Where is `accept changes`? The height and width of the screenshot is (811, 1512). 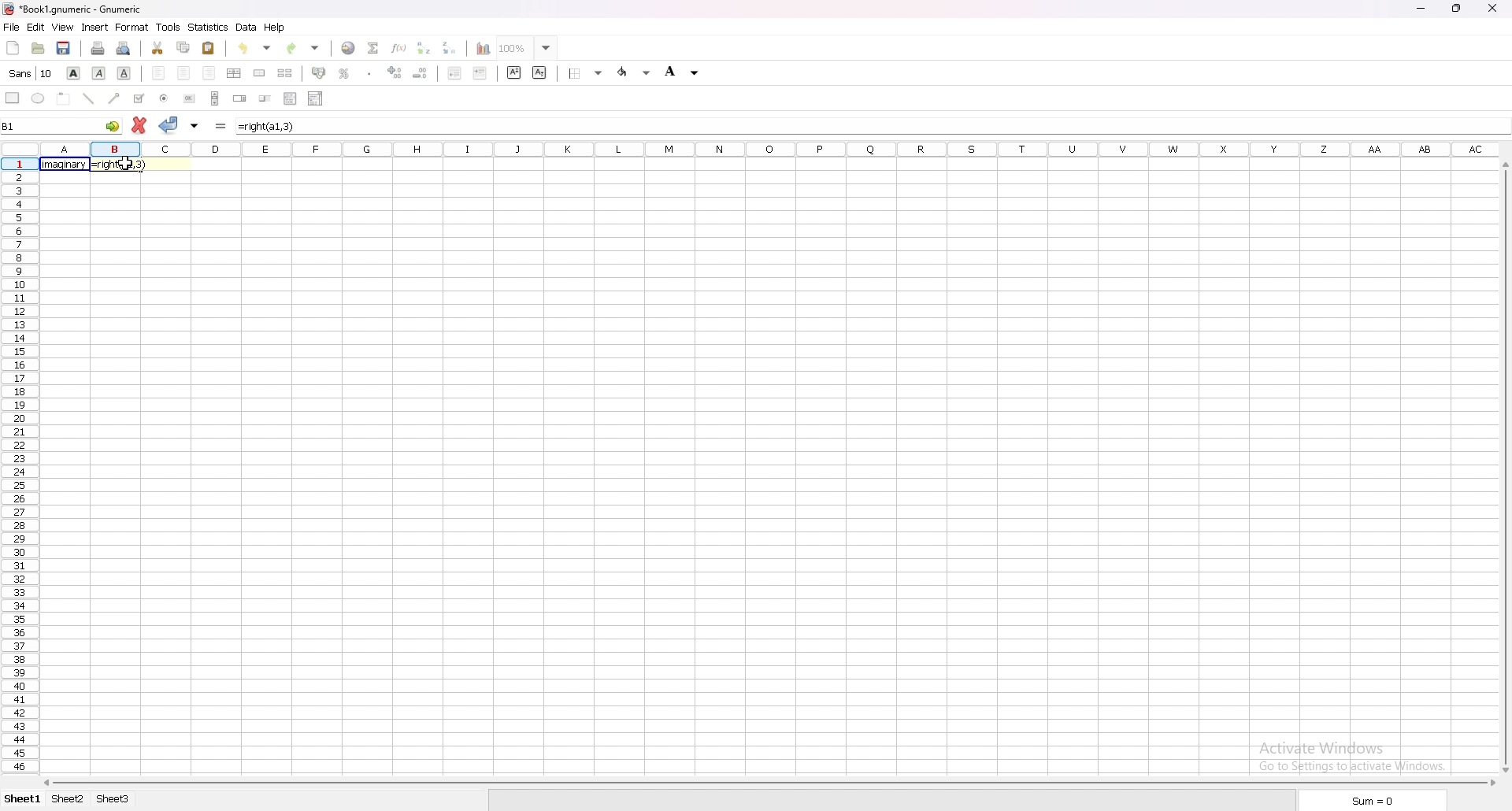
accept changes is located at coordinates (169, 124).